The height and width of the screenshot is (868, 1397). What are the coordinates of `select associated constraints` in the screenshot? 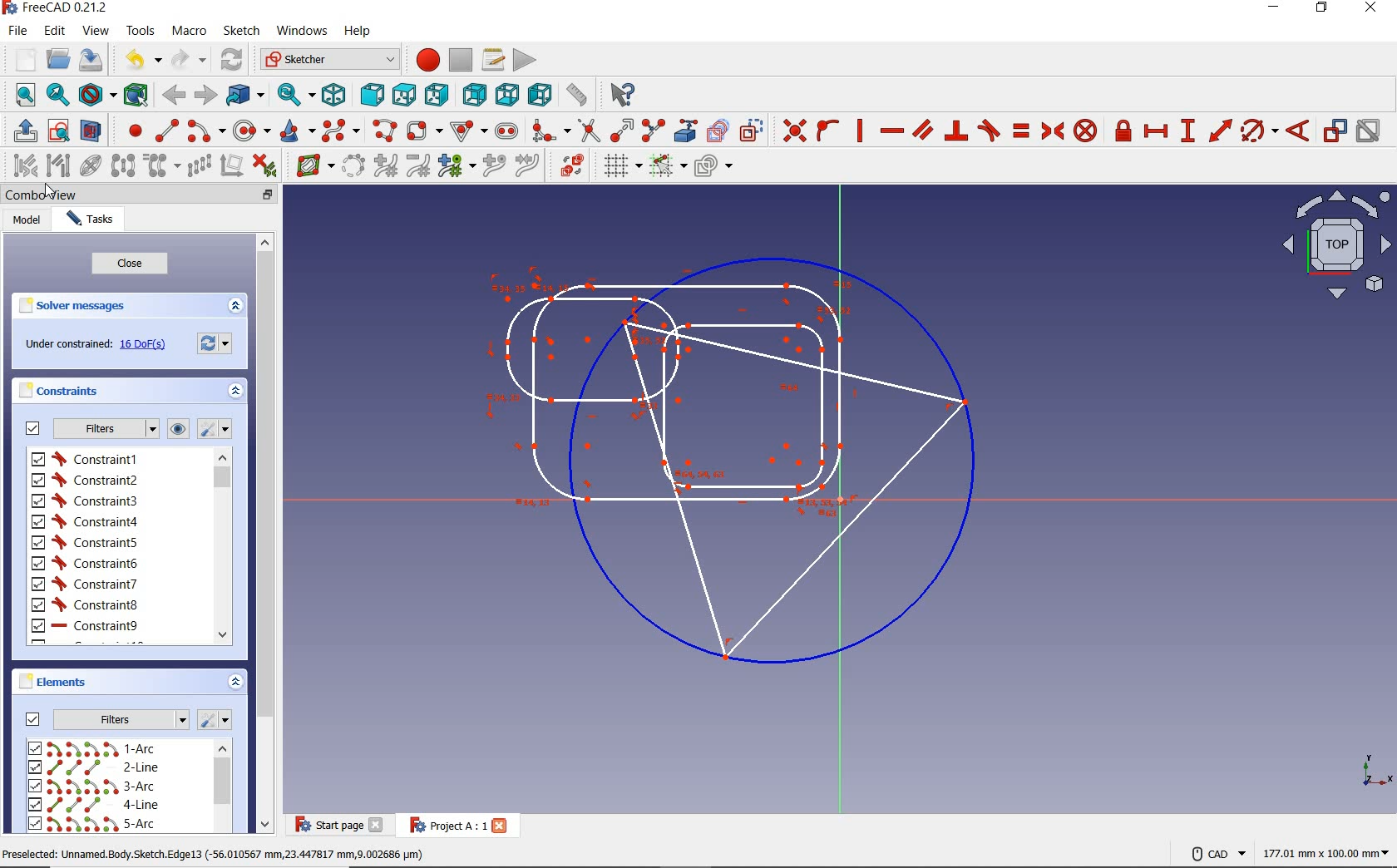 It's located at (19, 165).